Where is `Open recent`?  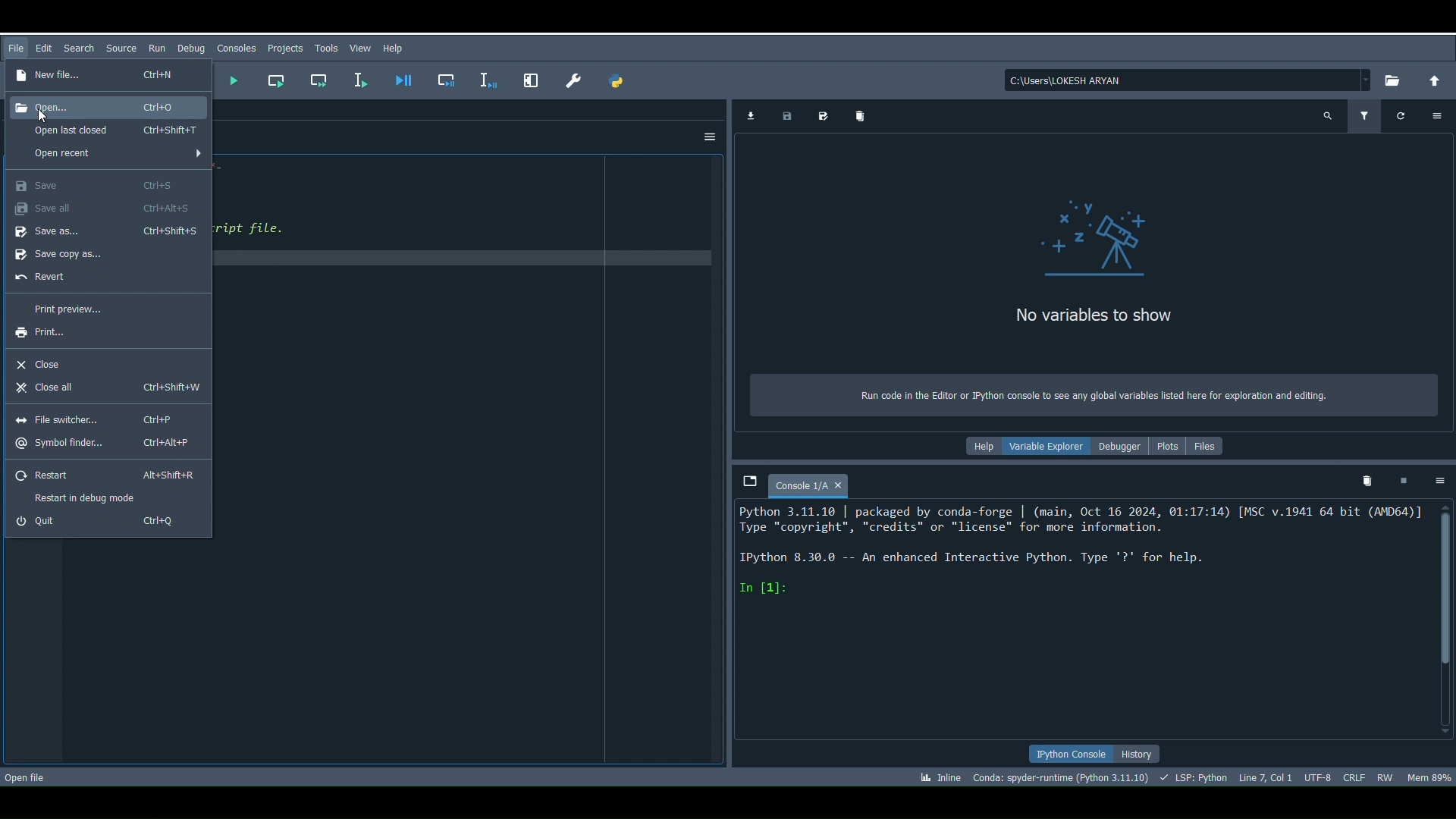
Open recent is located at coordinates (108, 154).